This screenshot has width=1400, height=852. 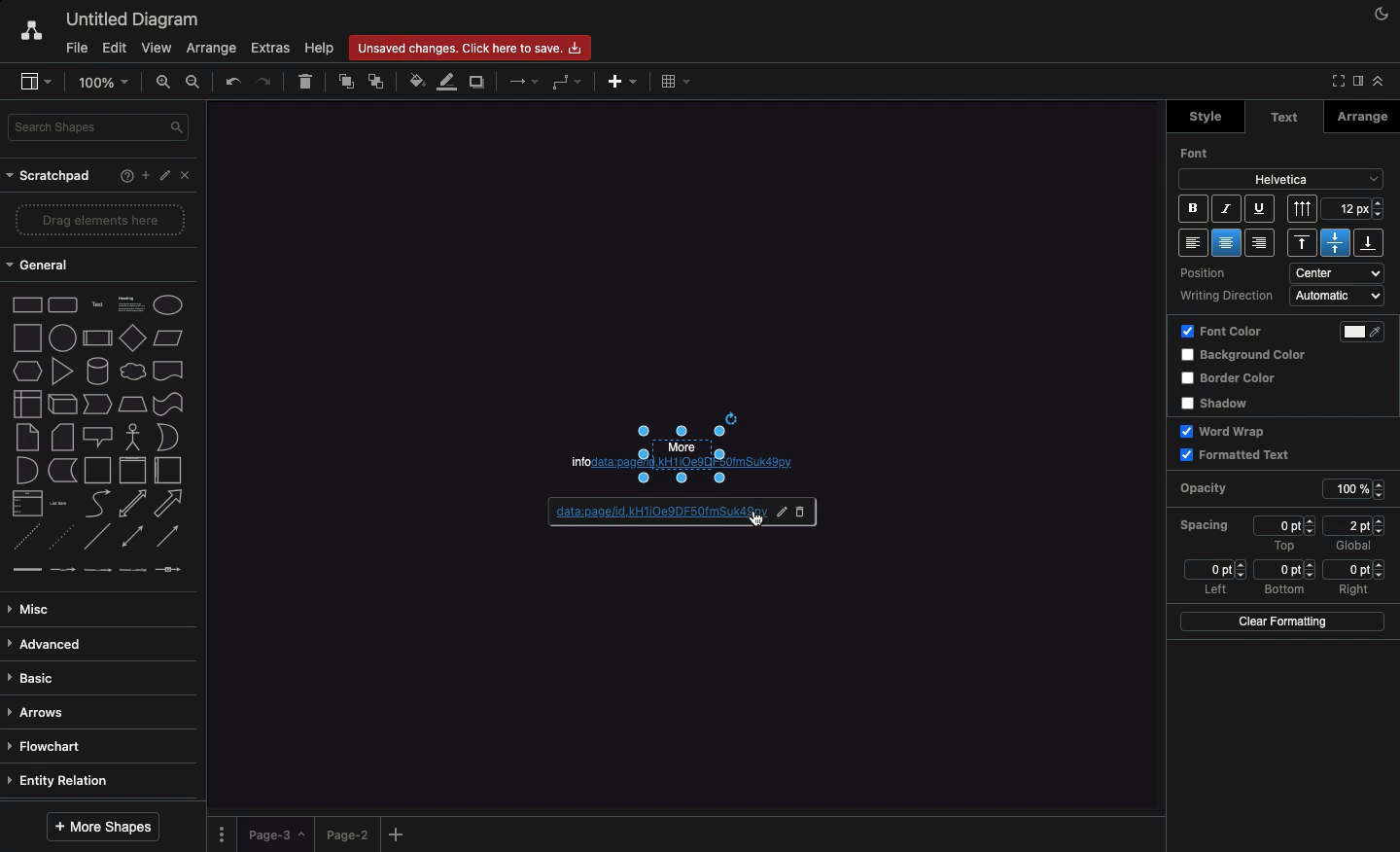 What do you see at coordinates (1280, 180) in the screenshot?
I see `Helvetica - Style` at bounding box center [1280, 180].